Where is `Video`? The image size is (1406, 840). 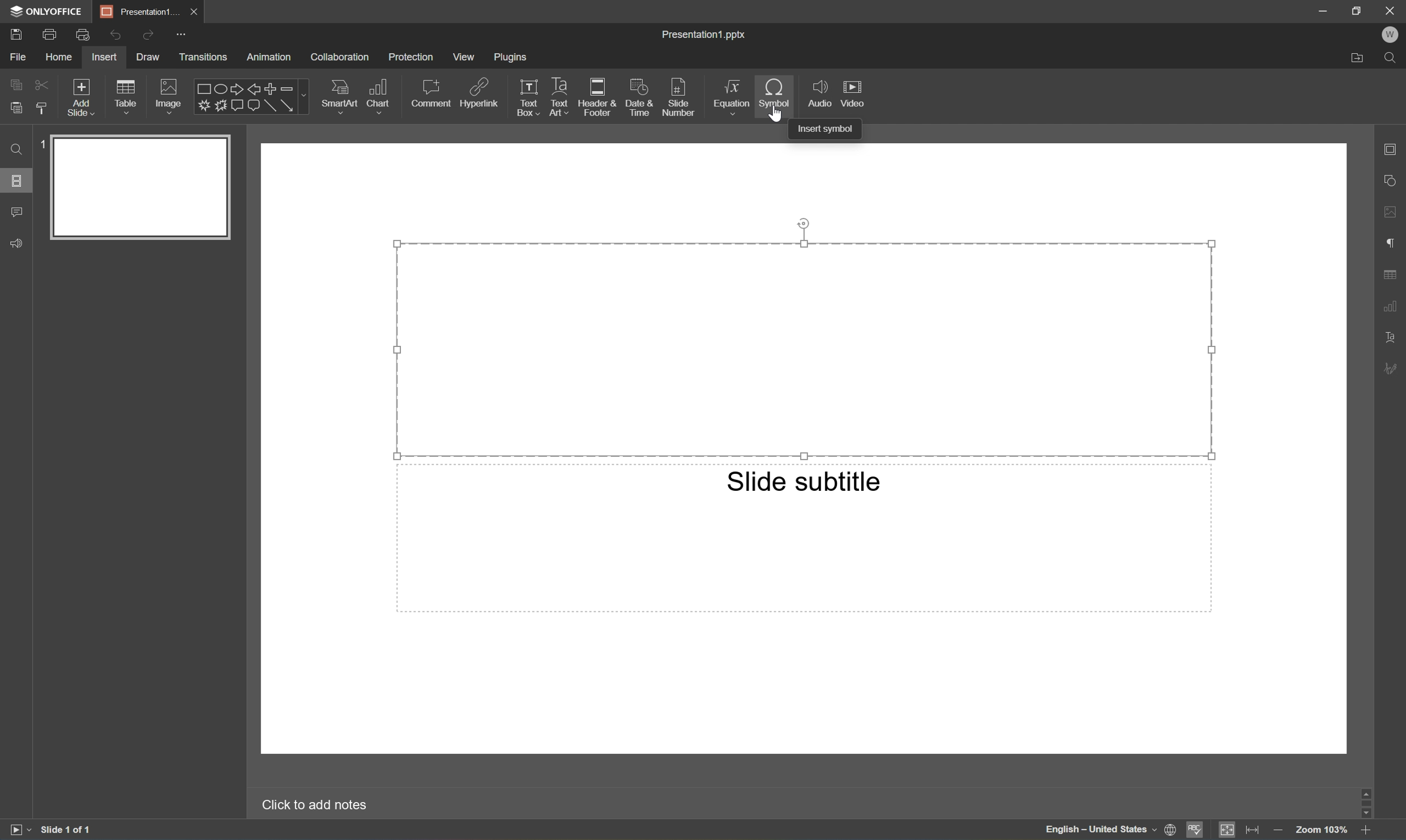
Video is located at coordinates (853, 93).